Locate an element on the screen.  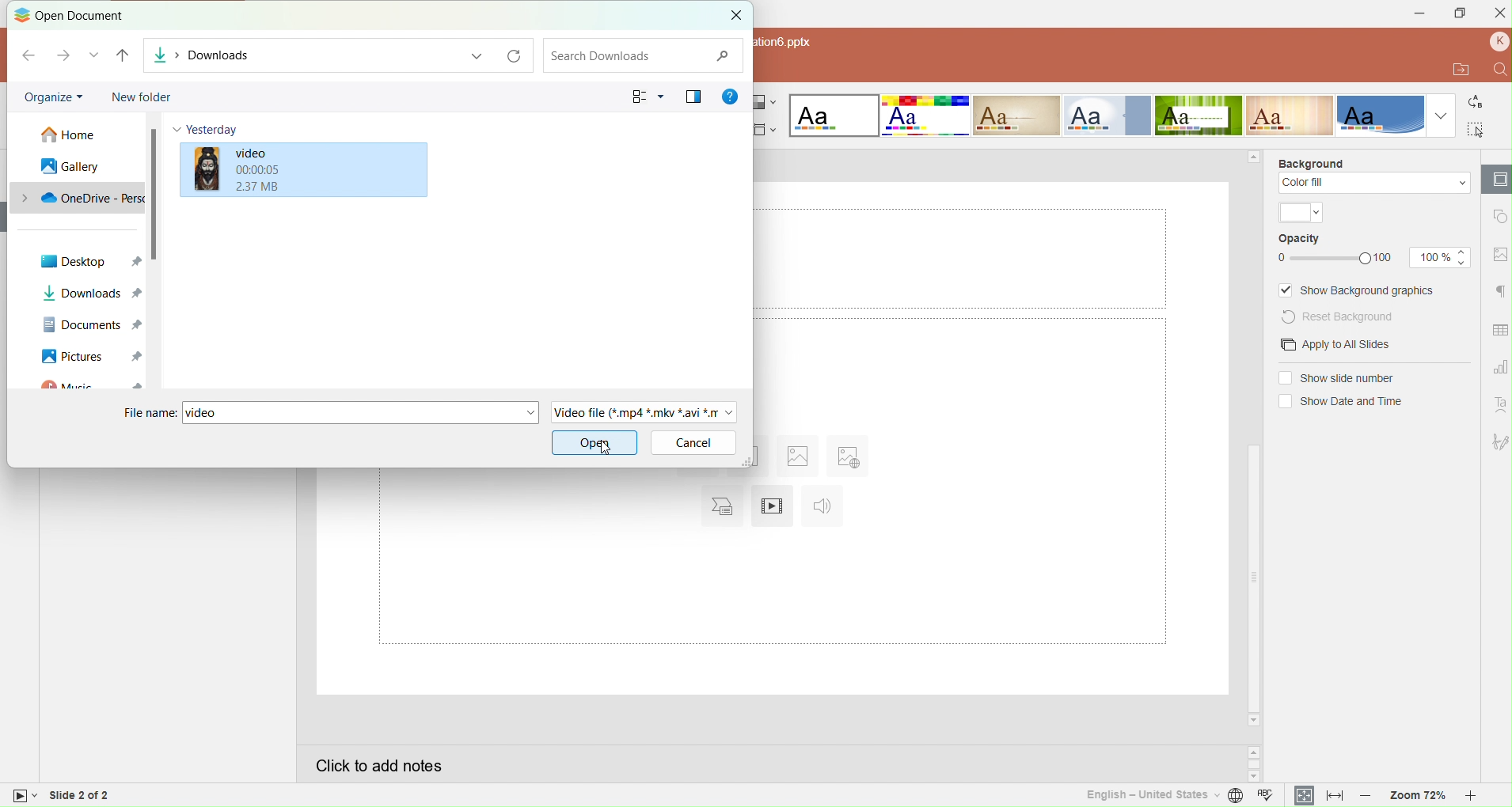
Opacity is located at coordinates (1298, 239).